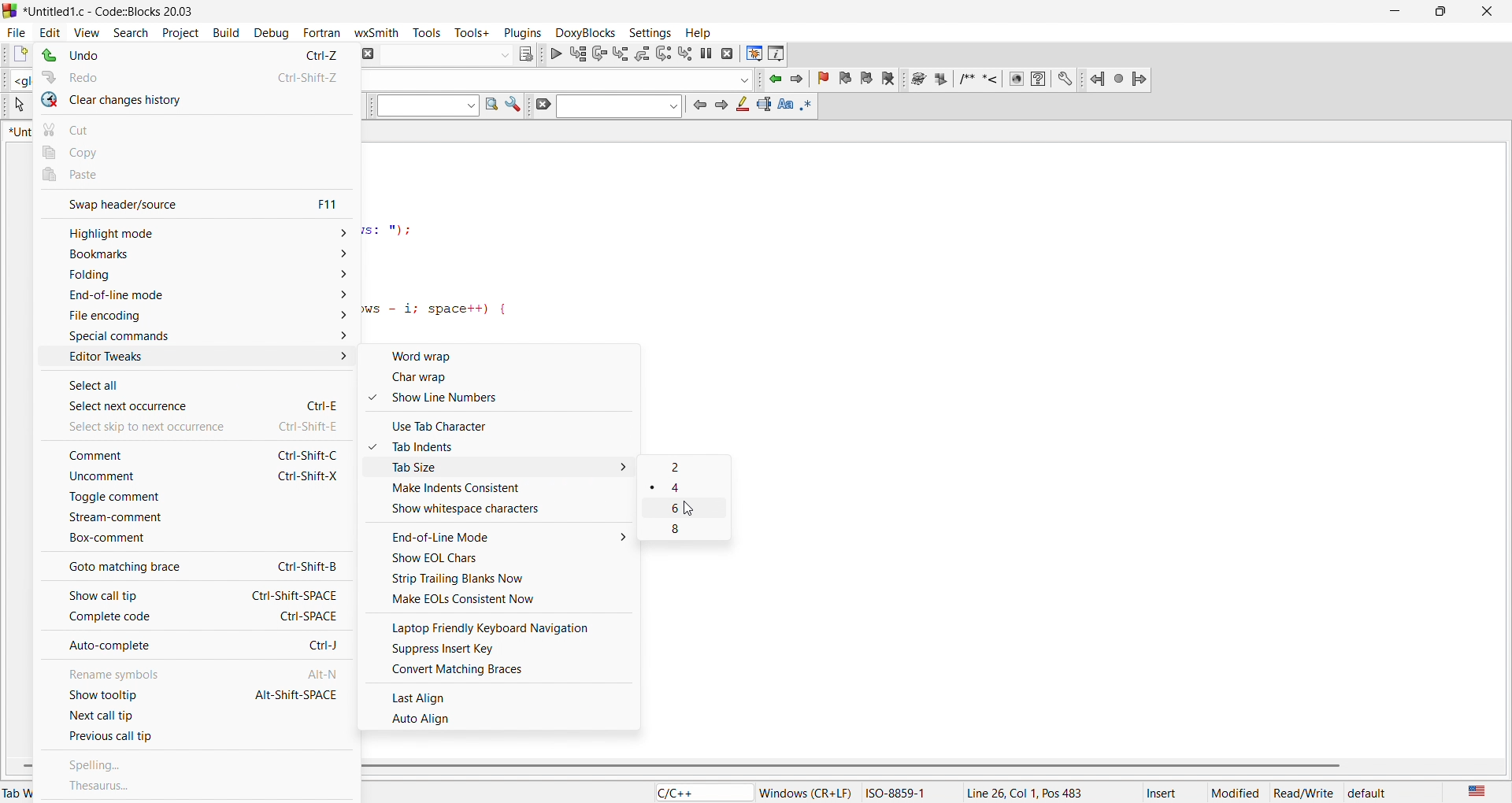  I want to click on view, so click(89, 28).